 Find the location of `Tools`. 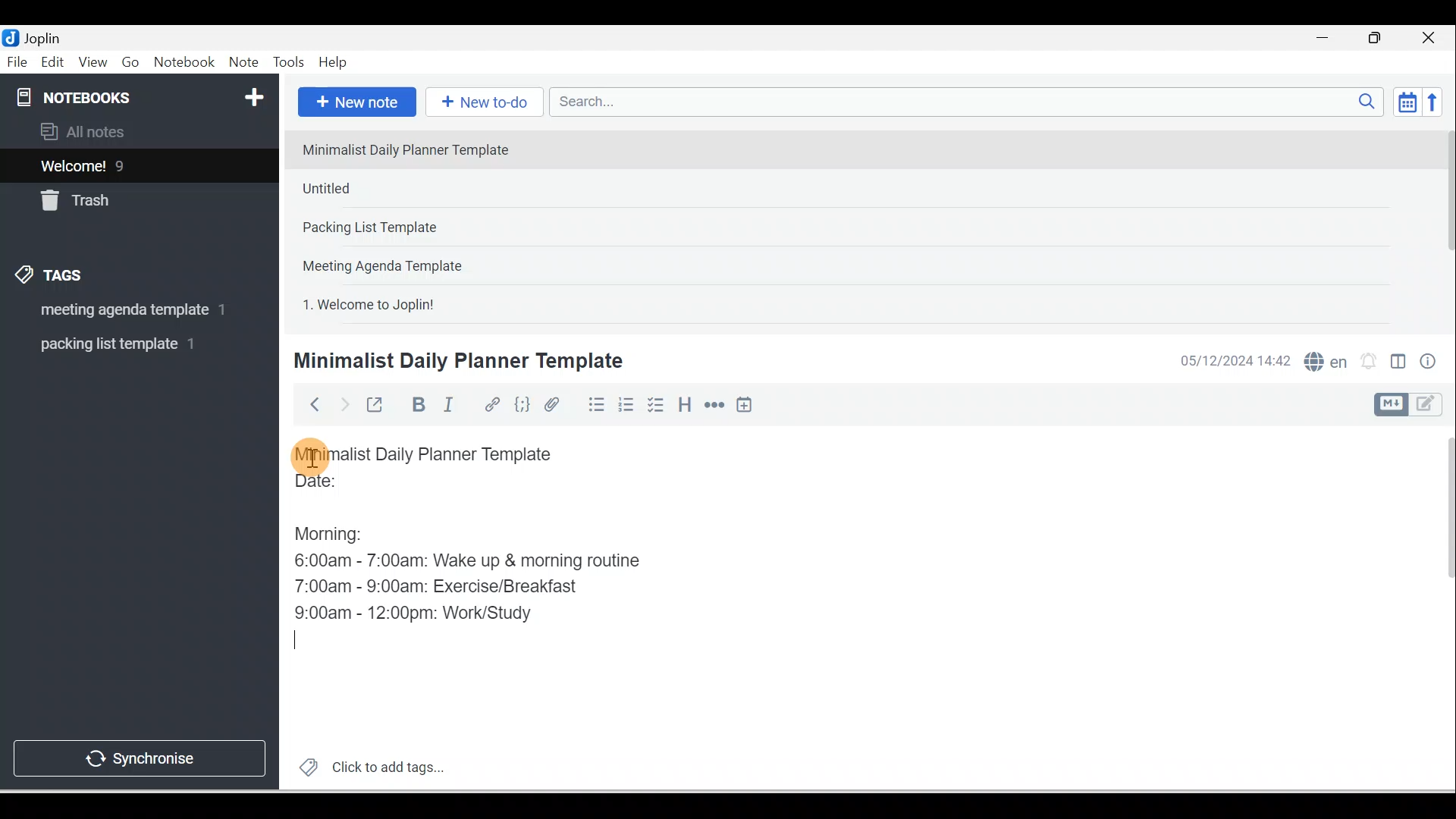

Tools is located at coordinates (288, 62).